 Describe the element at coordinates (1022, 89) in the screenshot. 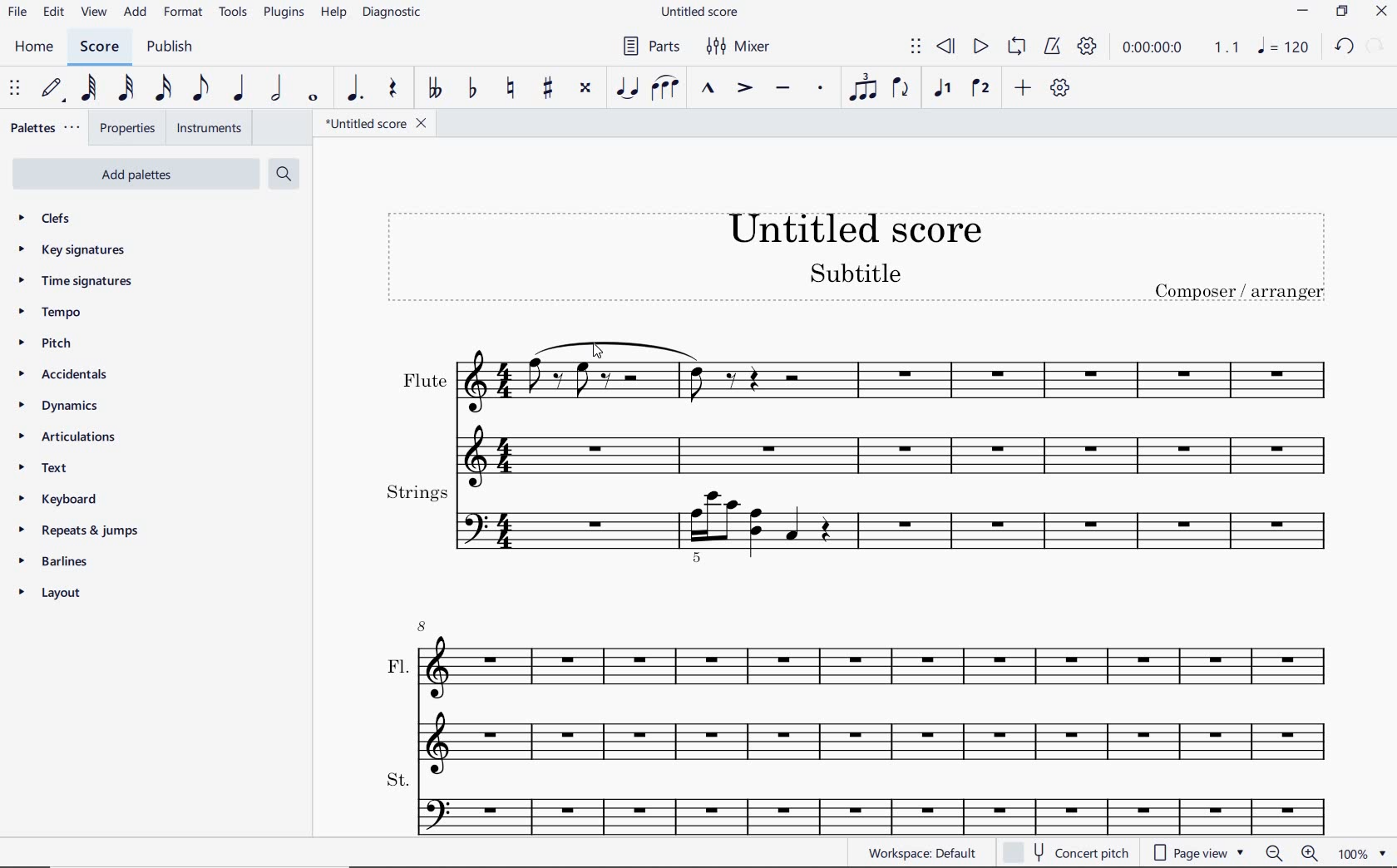

I see `ADD` at that location.